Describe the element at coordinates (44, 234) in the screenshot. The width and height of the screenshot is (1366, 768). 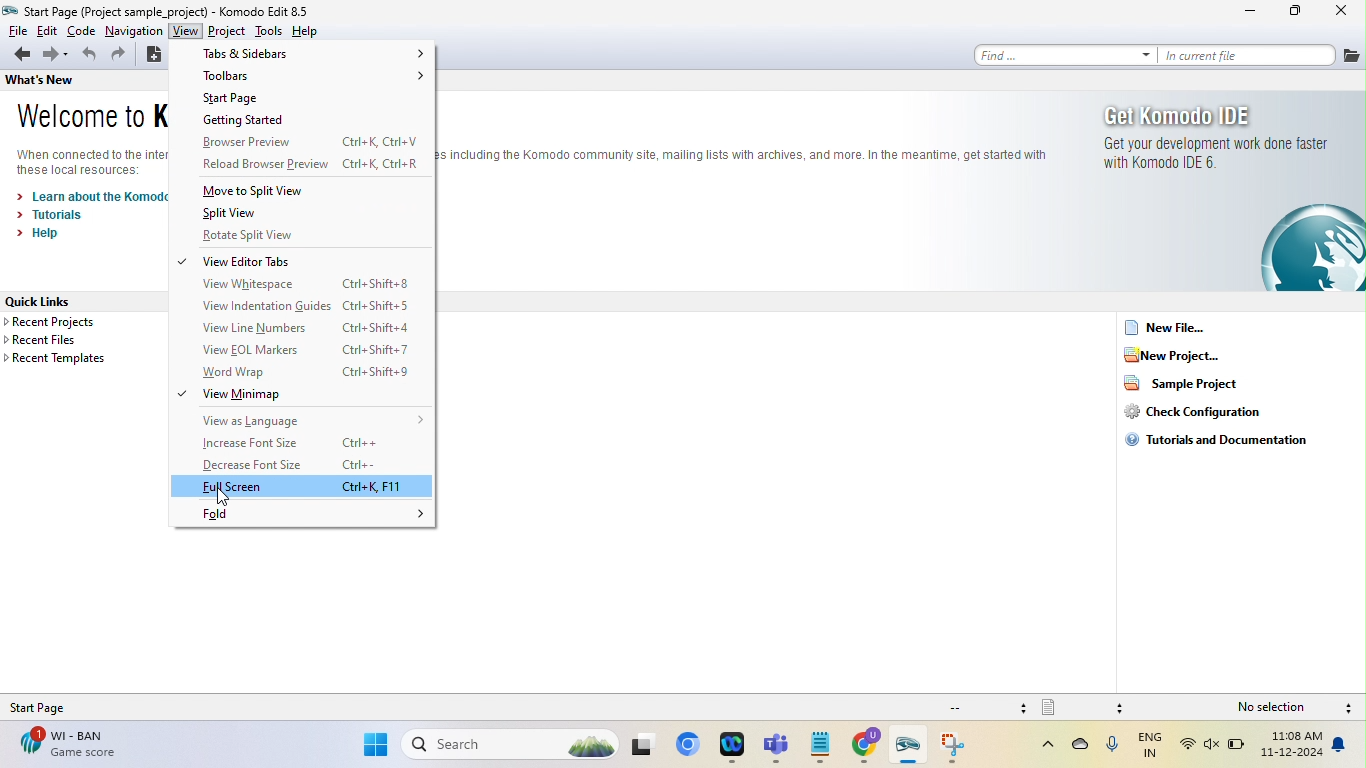
I see `help` at that location.